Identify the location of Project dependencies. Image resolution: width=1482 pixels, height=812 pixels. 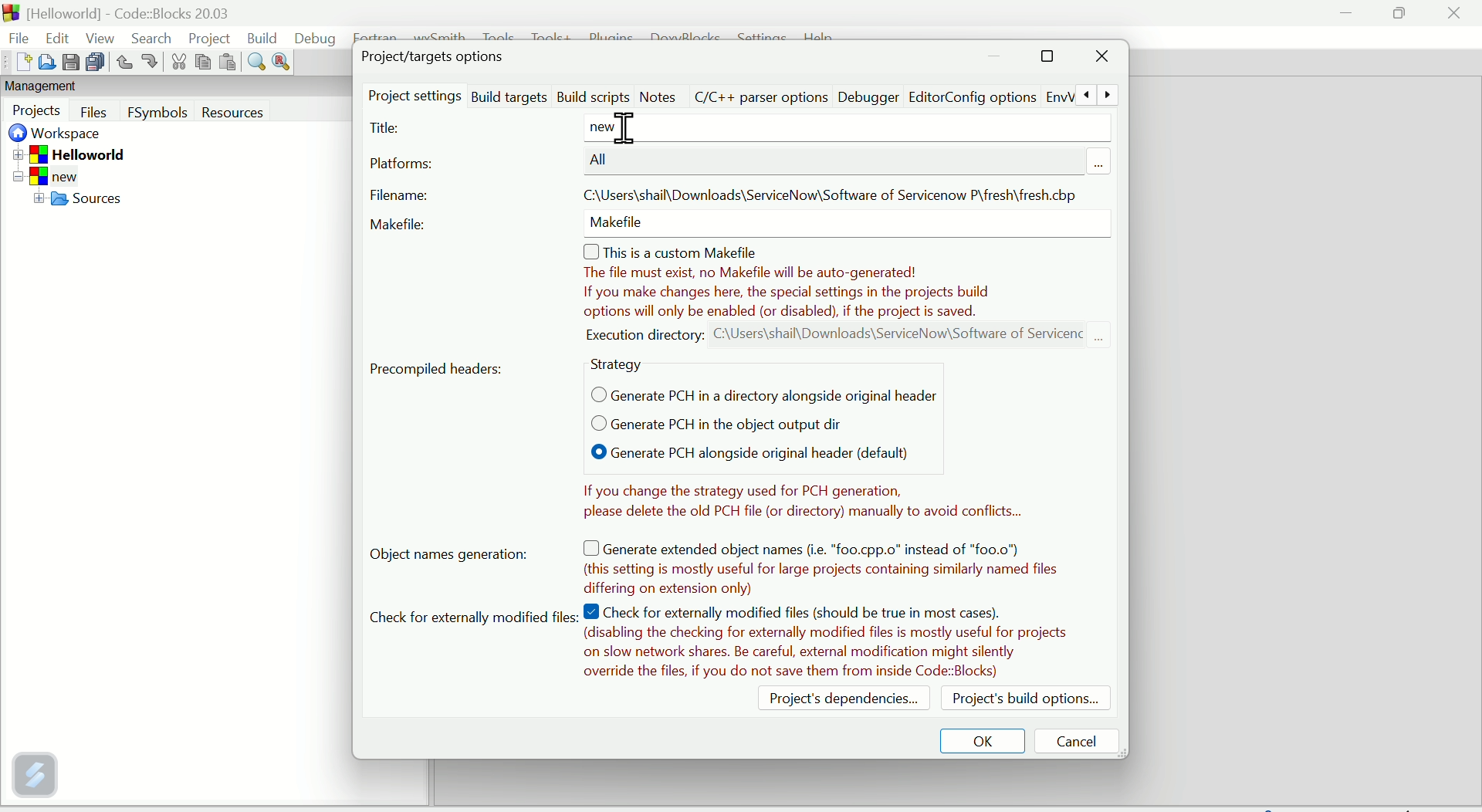
(834, 702).